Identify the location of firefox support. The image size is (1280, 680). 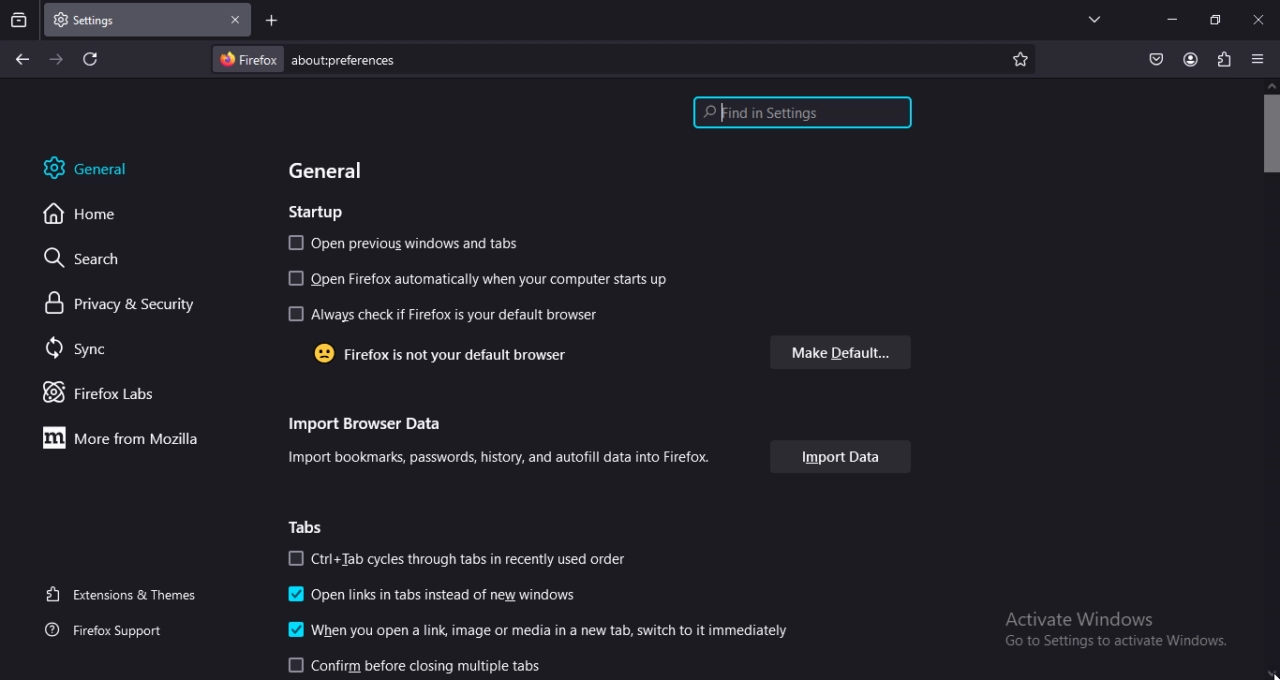
(118, 629).